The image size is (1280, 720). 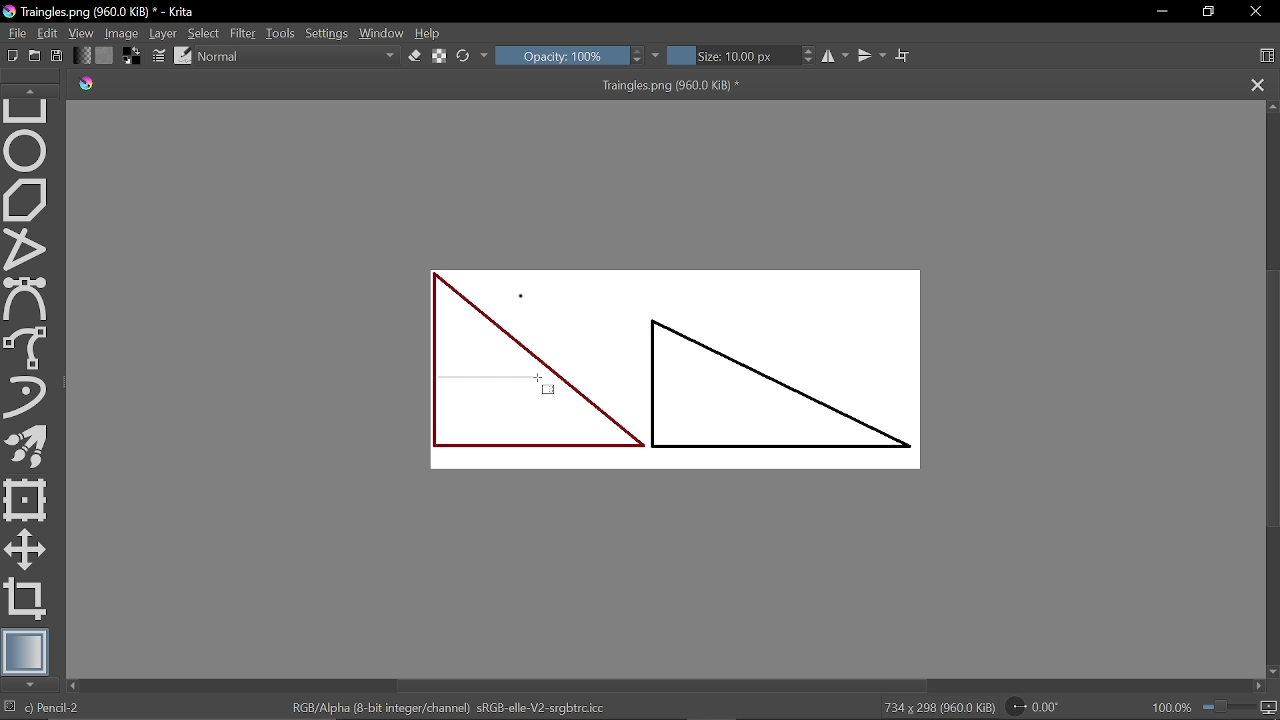 What do you see at coordinates (654, 85) in the screenshot?
I see `Traingles.png (960.0 KiB) *` at bounding box center [654, 85].